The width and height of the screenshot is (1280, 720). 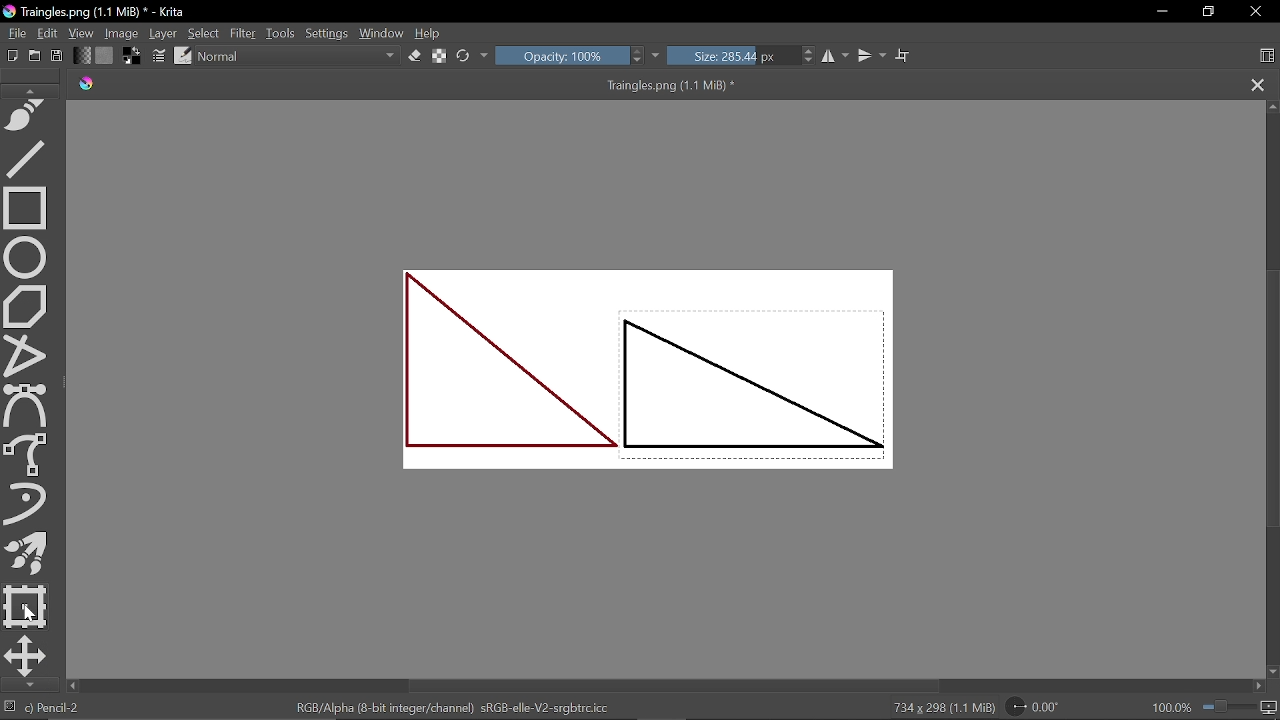 I want to click on Close tag, so click(x=1259, y=85).